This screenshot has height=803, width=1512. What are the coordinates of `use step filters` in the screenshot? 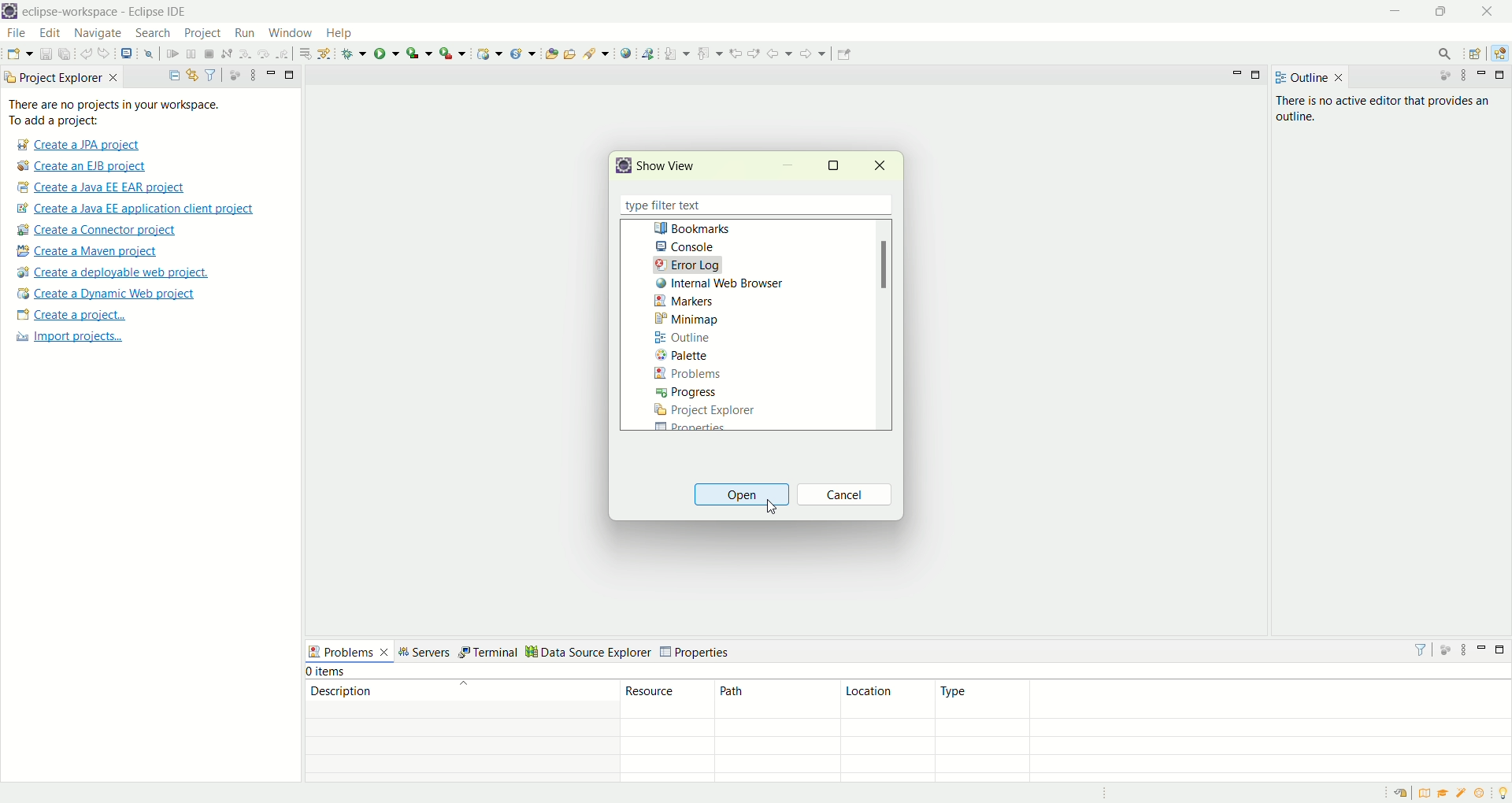 It's located at (323, 54).